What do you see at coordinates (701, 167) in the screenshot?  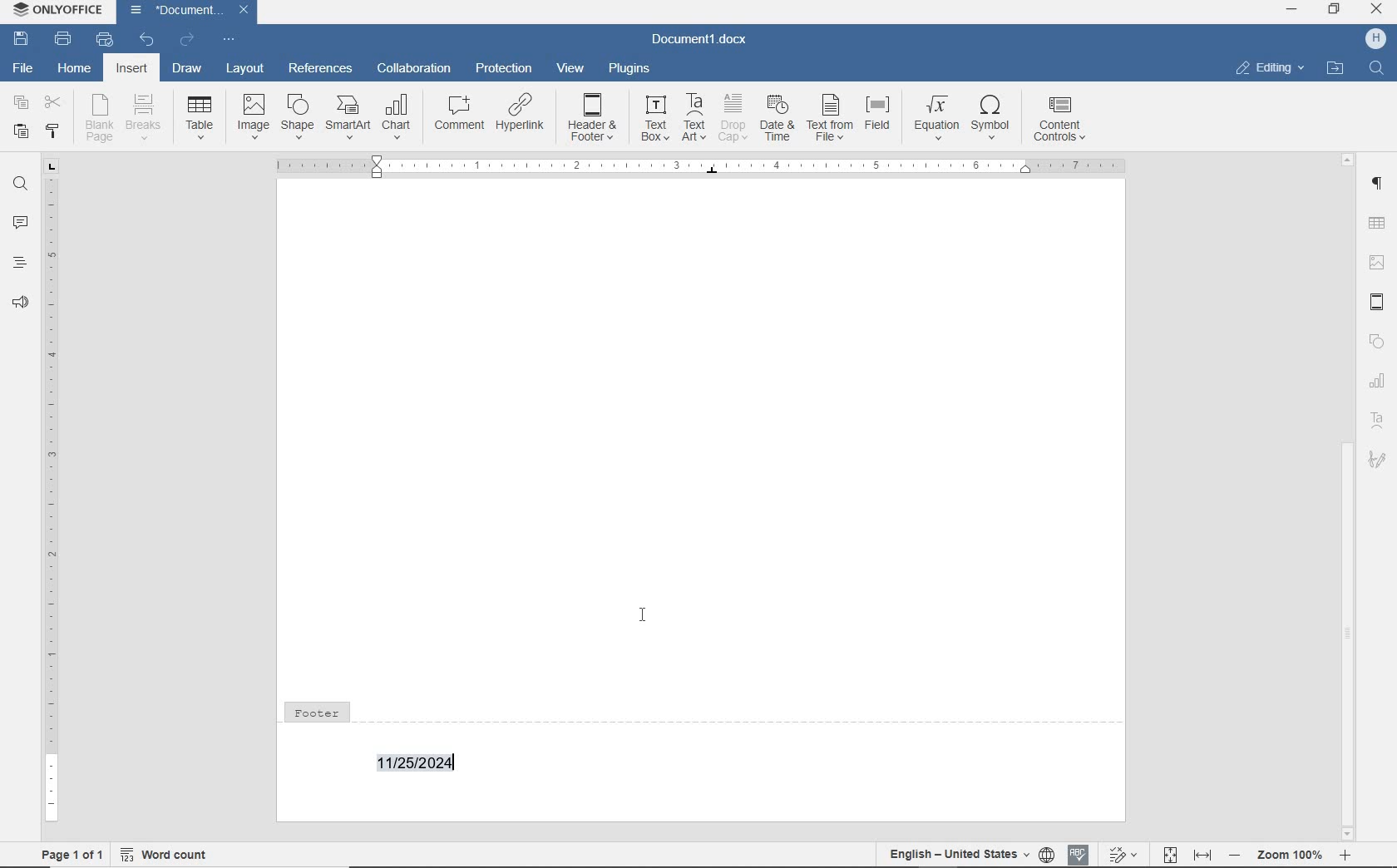 I see `insert current date and time` at bounding box center [701, 167].